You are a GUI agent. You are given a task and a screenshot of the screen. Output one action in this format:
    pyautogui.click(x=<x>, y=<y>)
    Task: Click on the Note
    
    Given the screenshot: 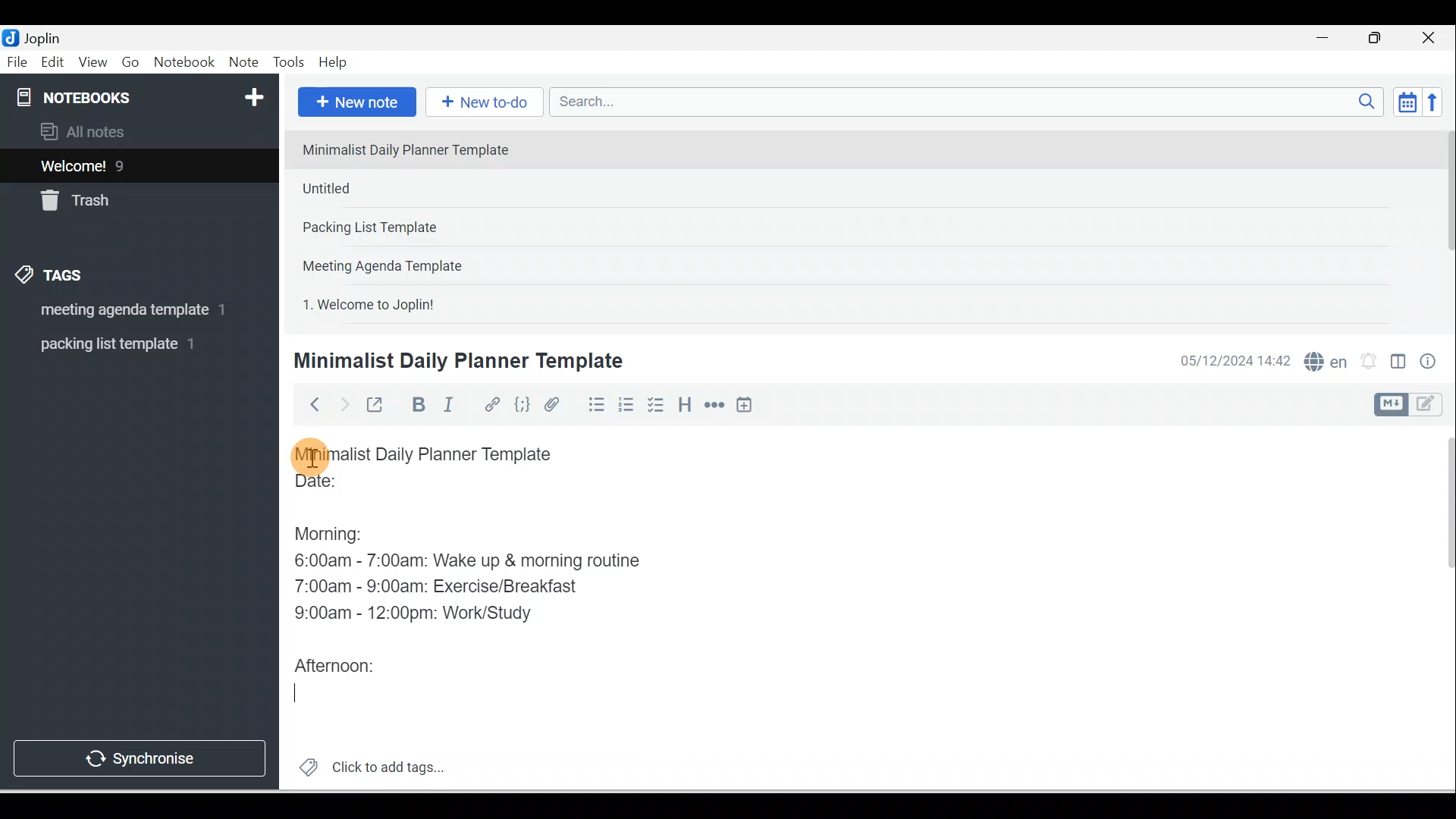 What is the action you would take?
    pyautogui.click(x=242, y=63)
    